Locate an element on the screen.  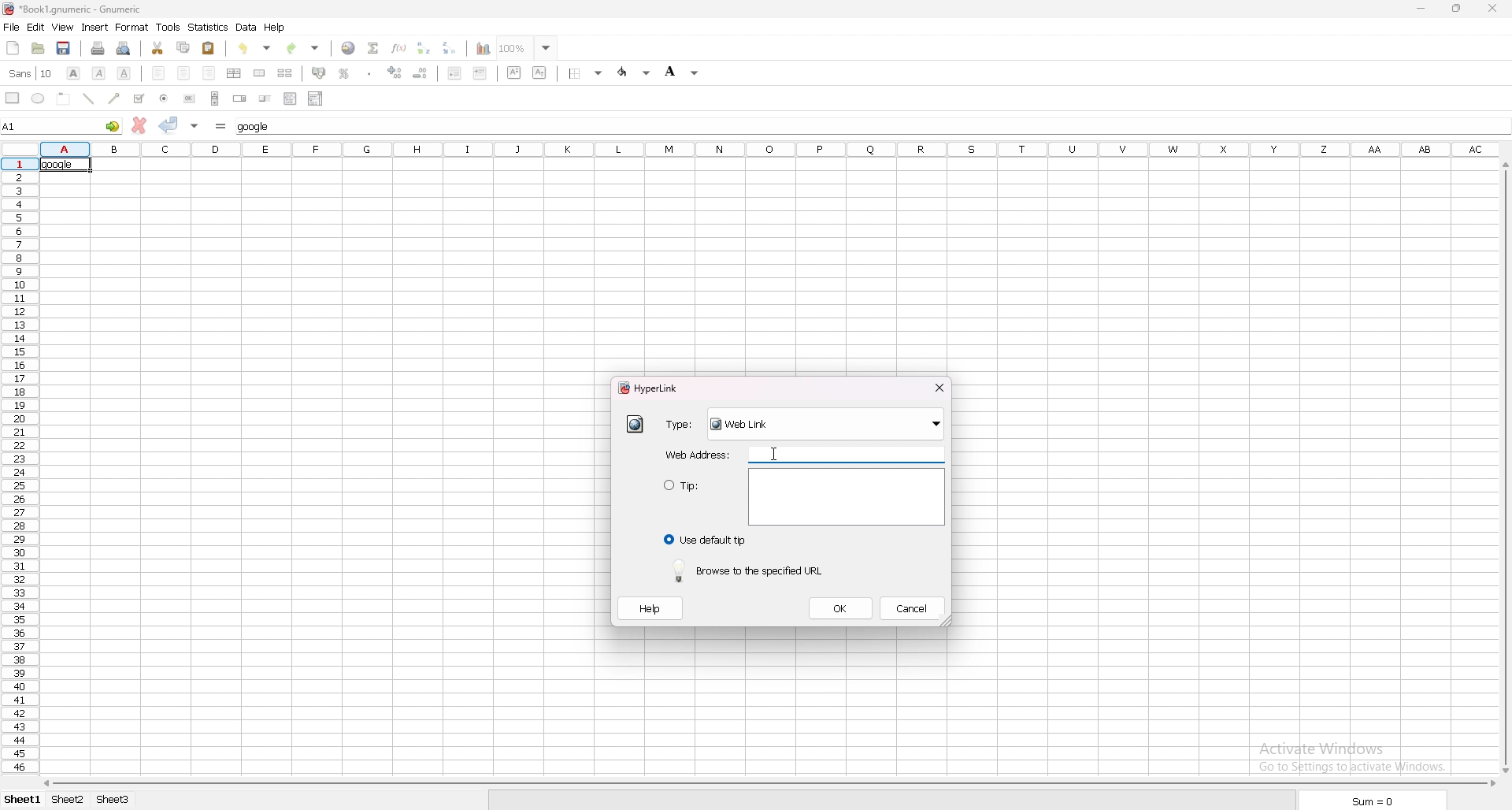
cancel is located at coordinates (910, 607).